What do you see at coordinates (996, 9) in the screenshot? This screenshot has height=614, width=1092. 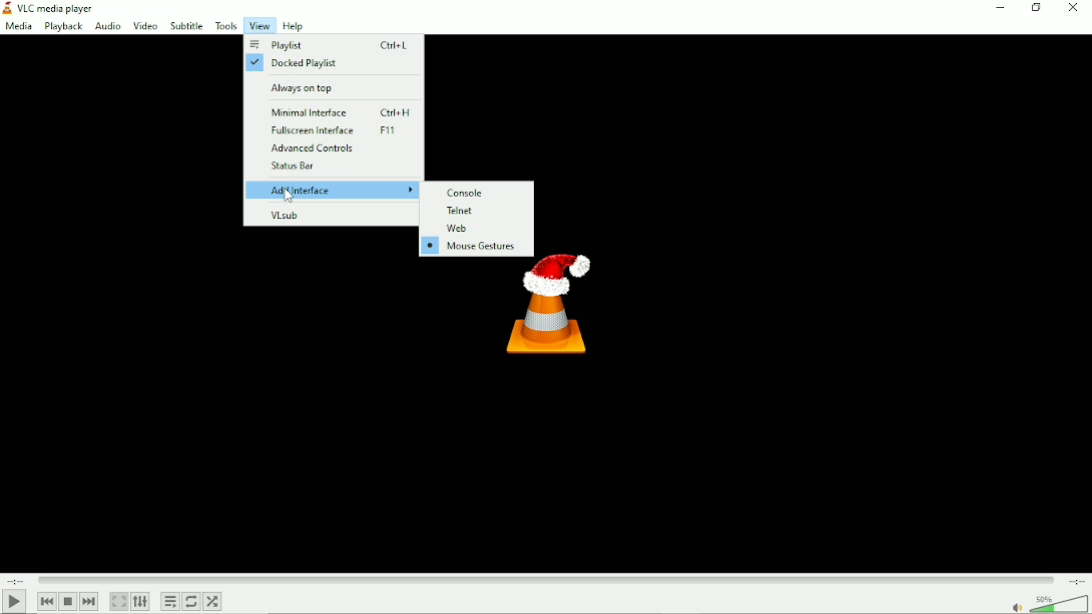 I see `Minimize` at bounding box center [996, 9].